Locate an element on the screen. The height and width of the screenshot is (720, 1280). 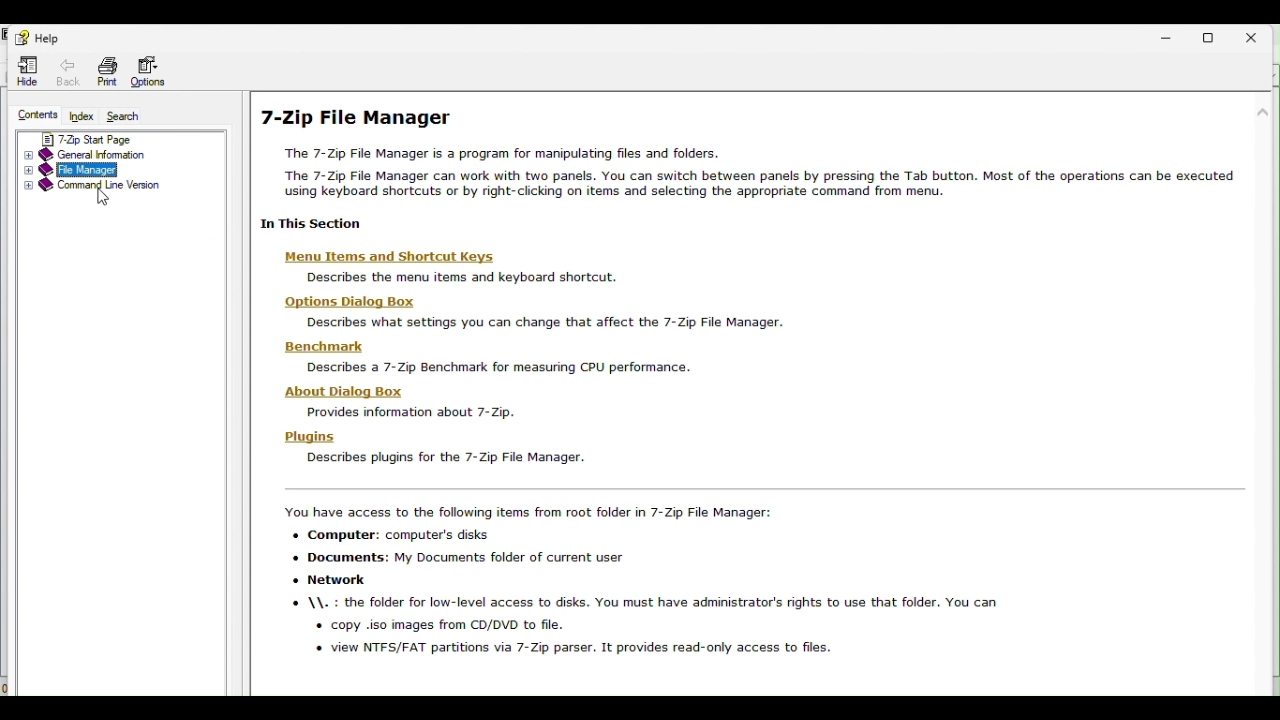
Content  is located at coordinates (35, 116).